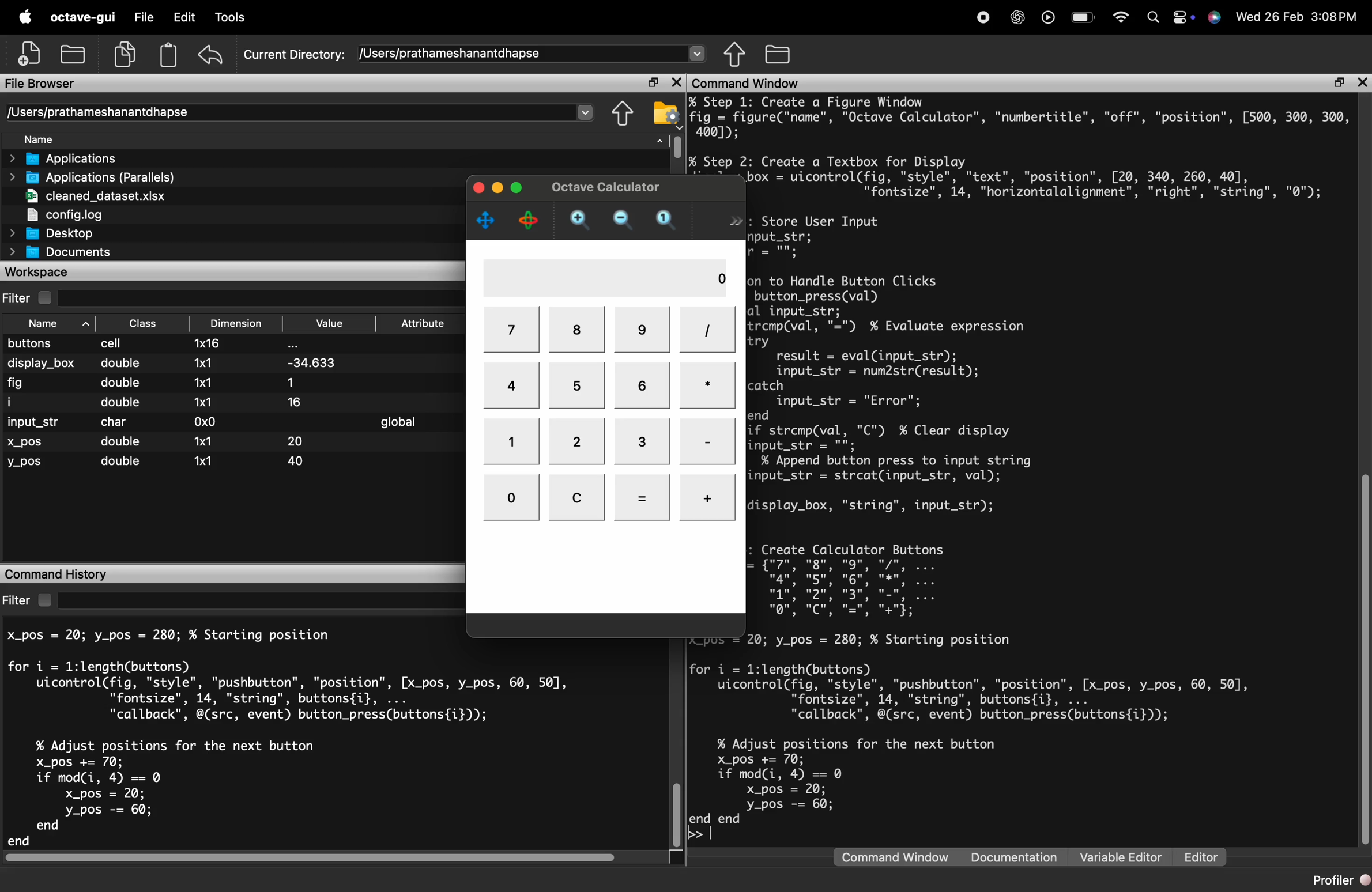 This screenshot has height=892, width=1372. What do you see at coordinates (25, 17) in the screenshot?
I see `apple` at bounding box center [25, 17].